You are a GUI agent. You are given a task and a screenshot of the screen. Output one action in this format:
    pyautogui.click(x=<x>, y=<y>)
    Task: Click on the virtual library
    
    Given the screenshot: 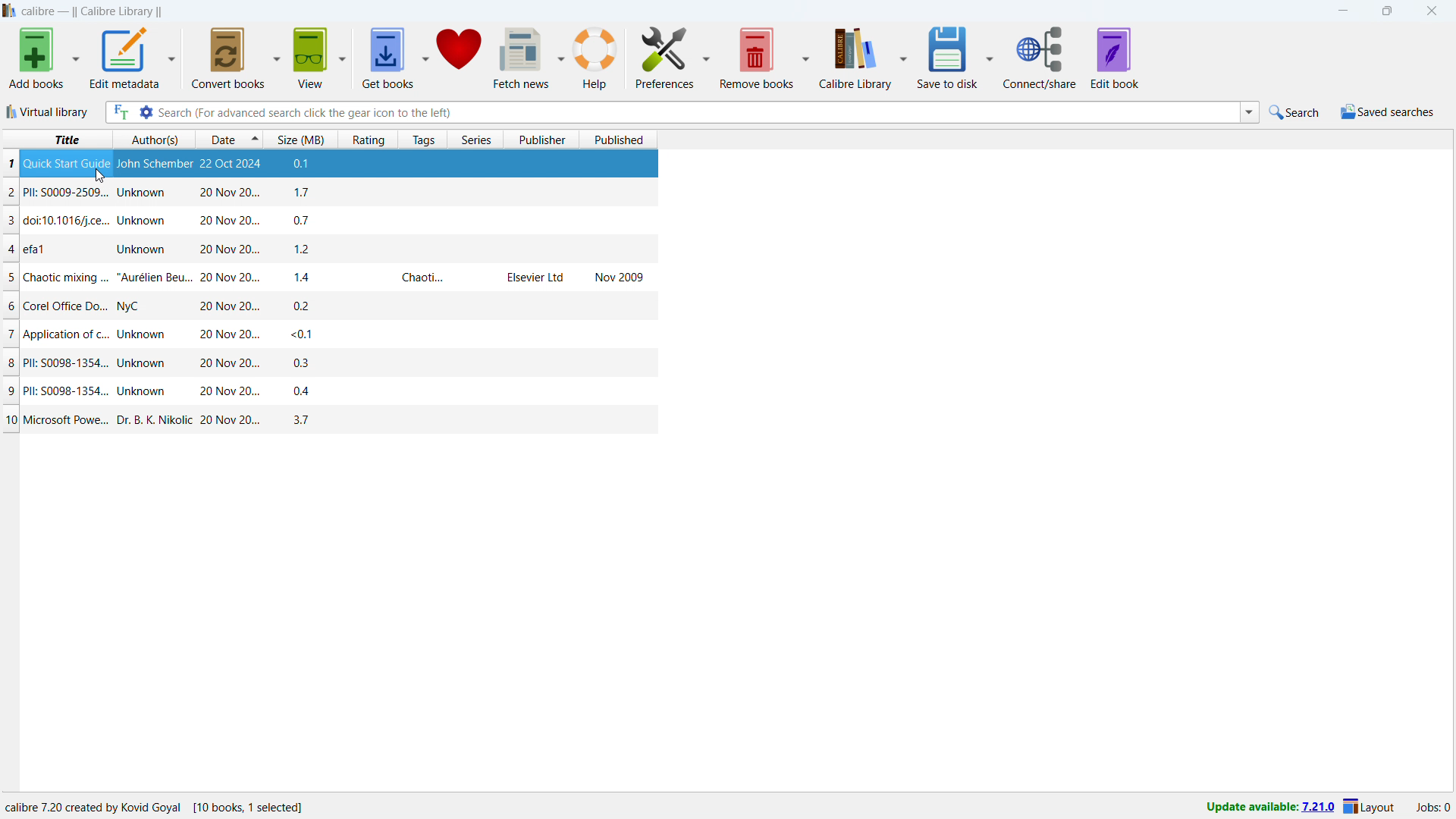 What is the action you would take?
    pyautogui.click(x=48, y=112)
    